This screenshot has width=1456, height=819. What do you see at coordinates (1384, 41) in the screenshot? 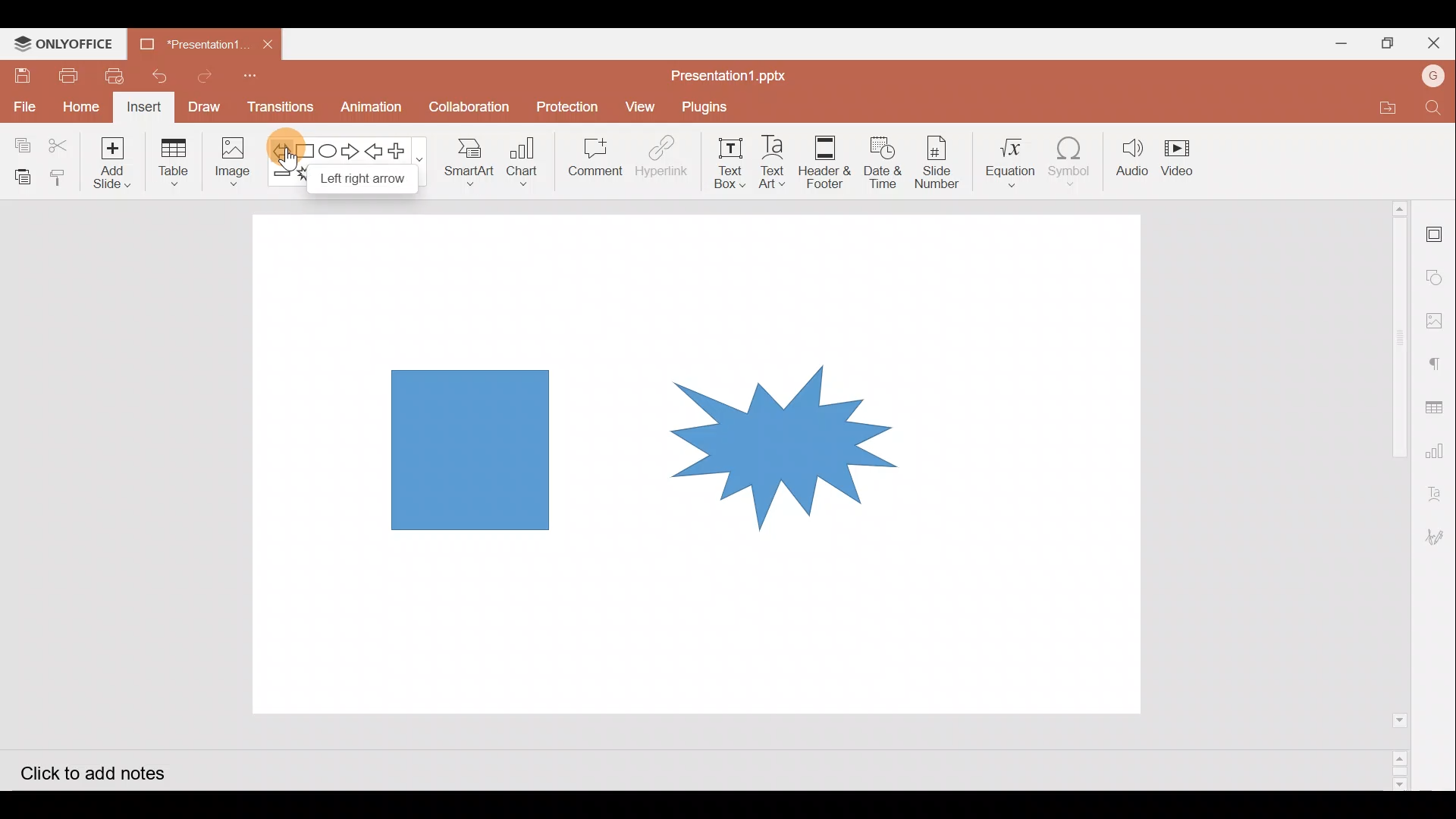
I see `Maximize` at bounding box center [1384, 41].